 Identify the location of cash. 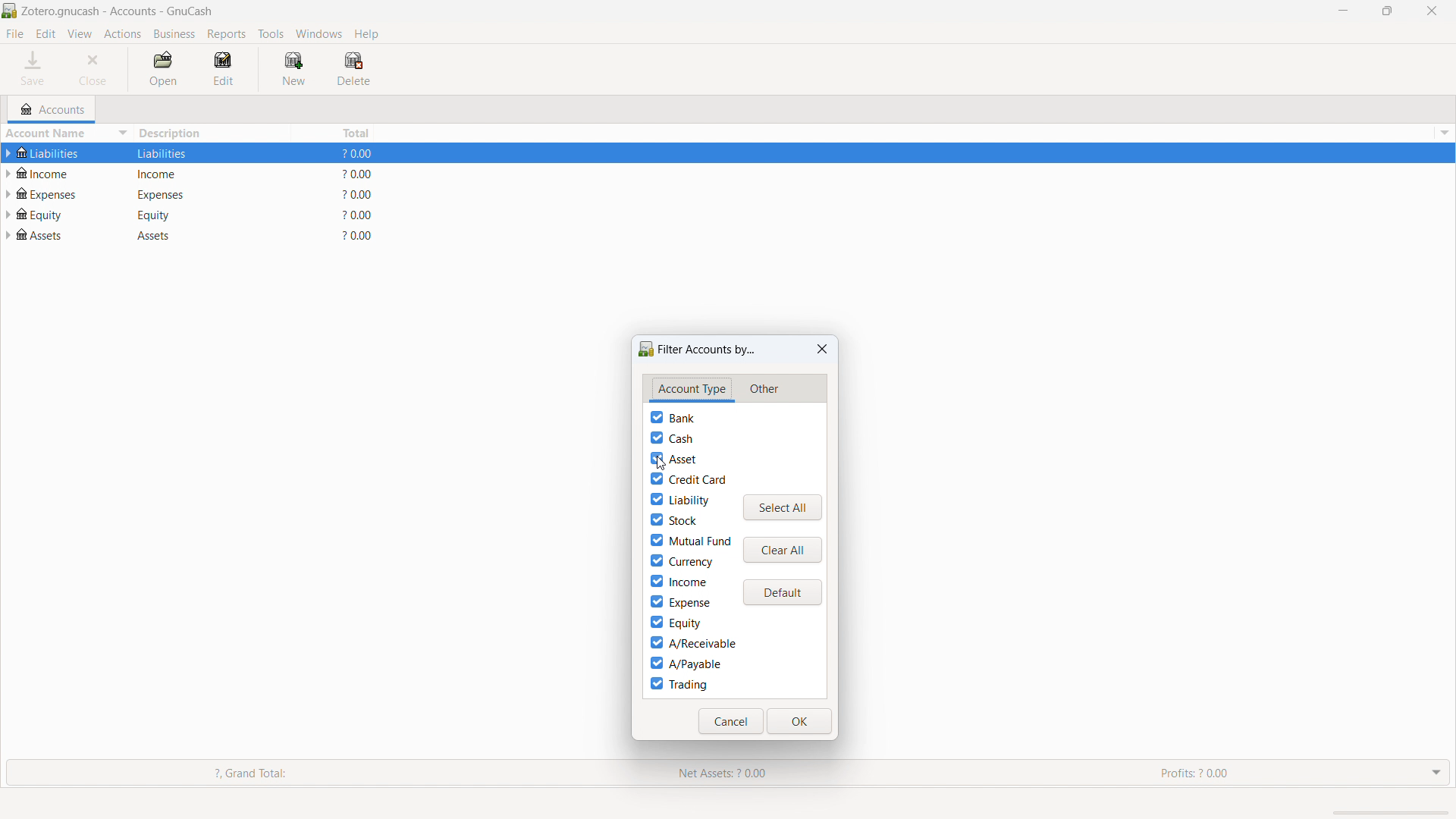
(672, 438).